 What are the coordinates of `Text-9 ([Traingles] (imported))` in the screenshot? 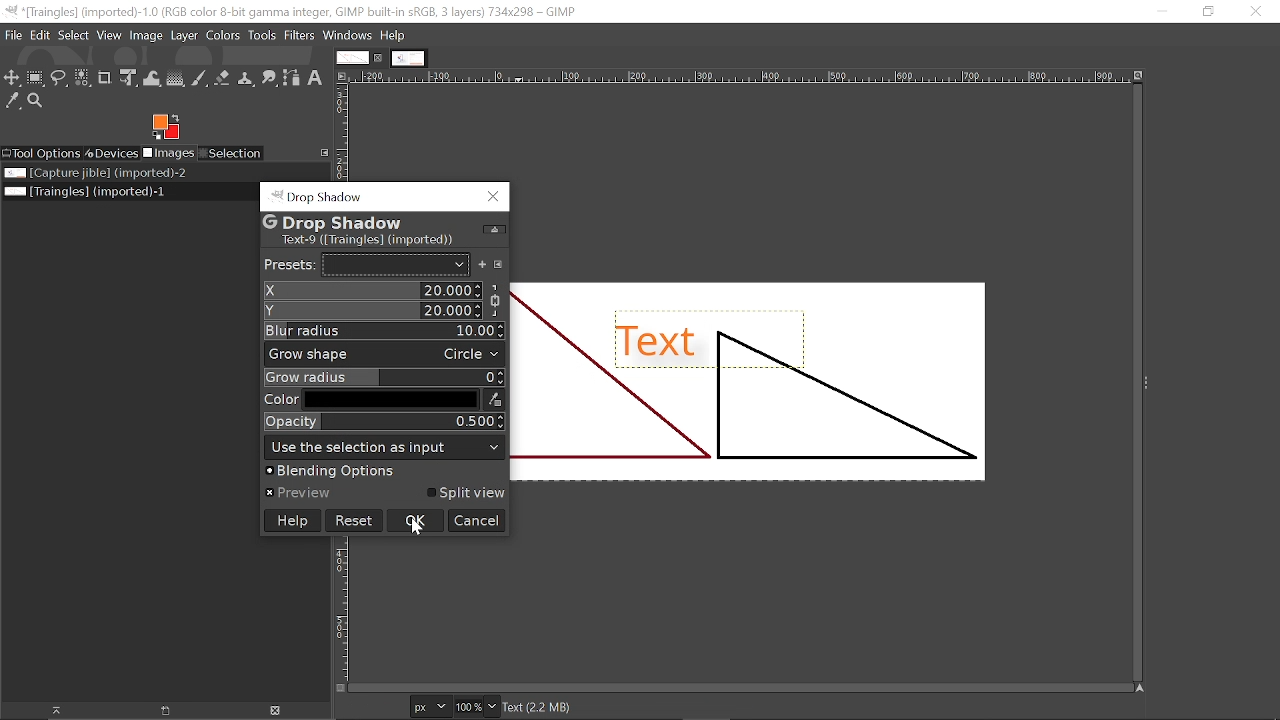 It's located at (367, 240).